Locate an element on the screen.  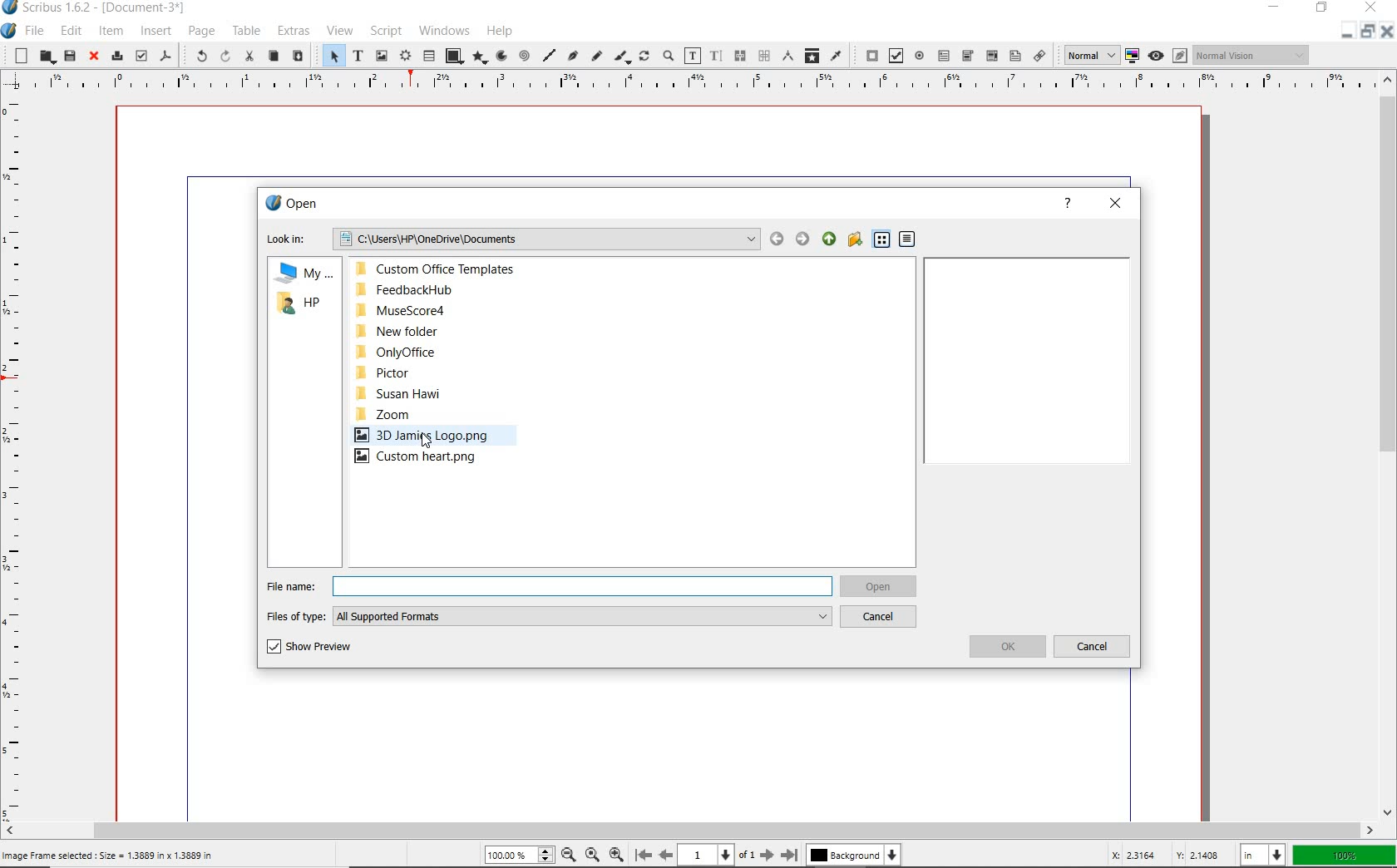
link text frames is located at coordinates (738, 55).